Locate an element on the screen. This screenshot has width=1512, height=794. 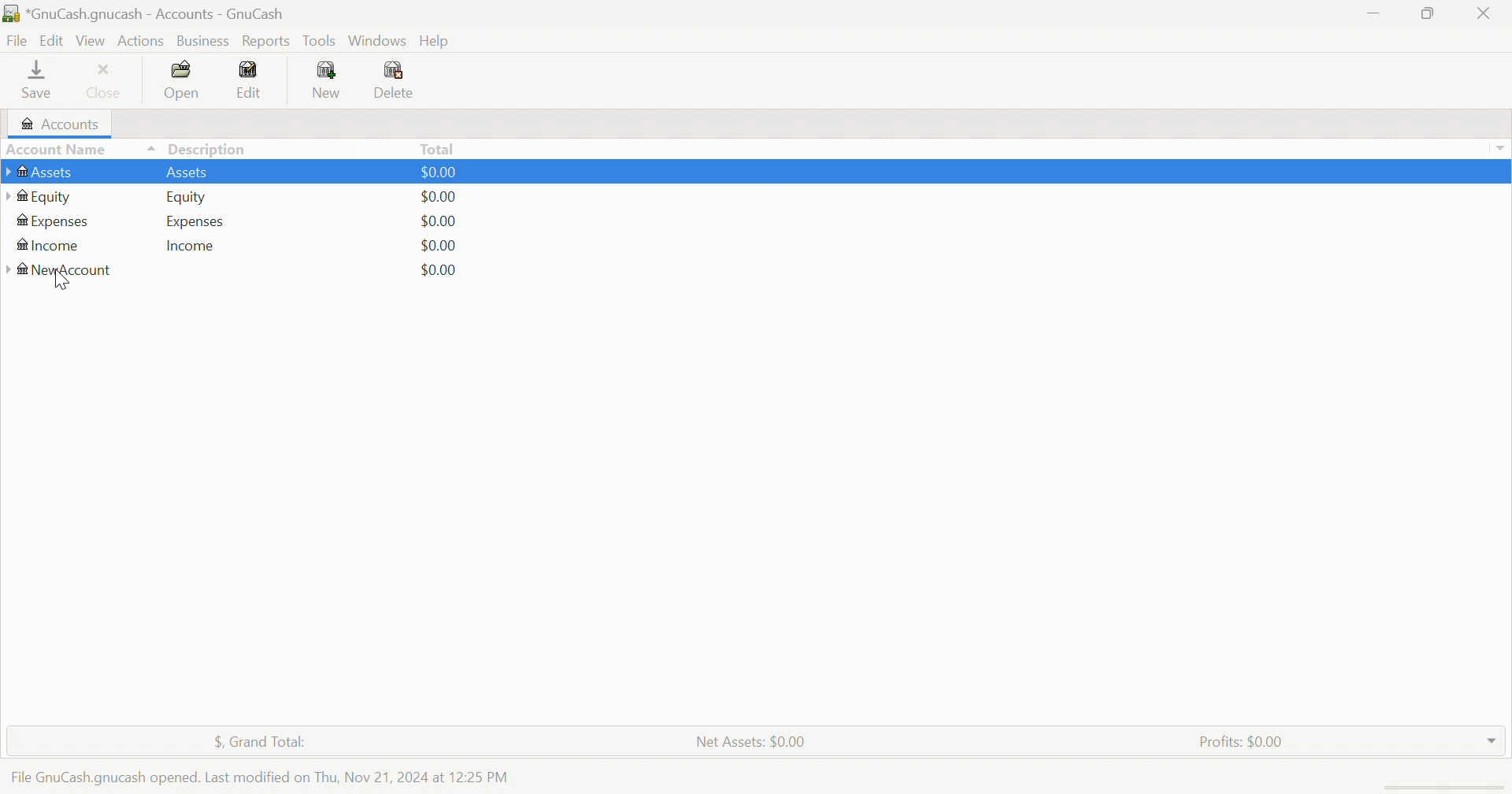
Close is located at coordinates (105, 80).